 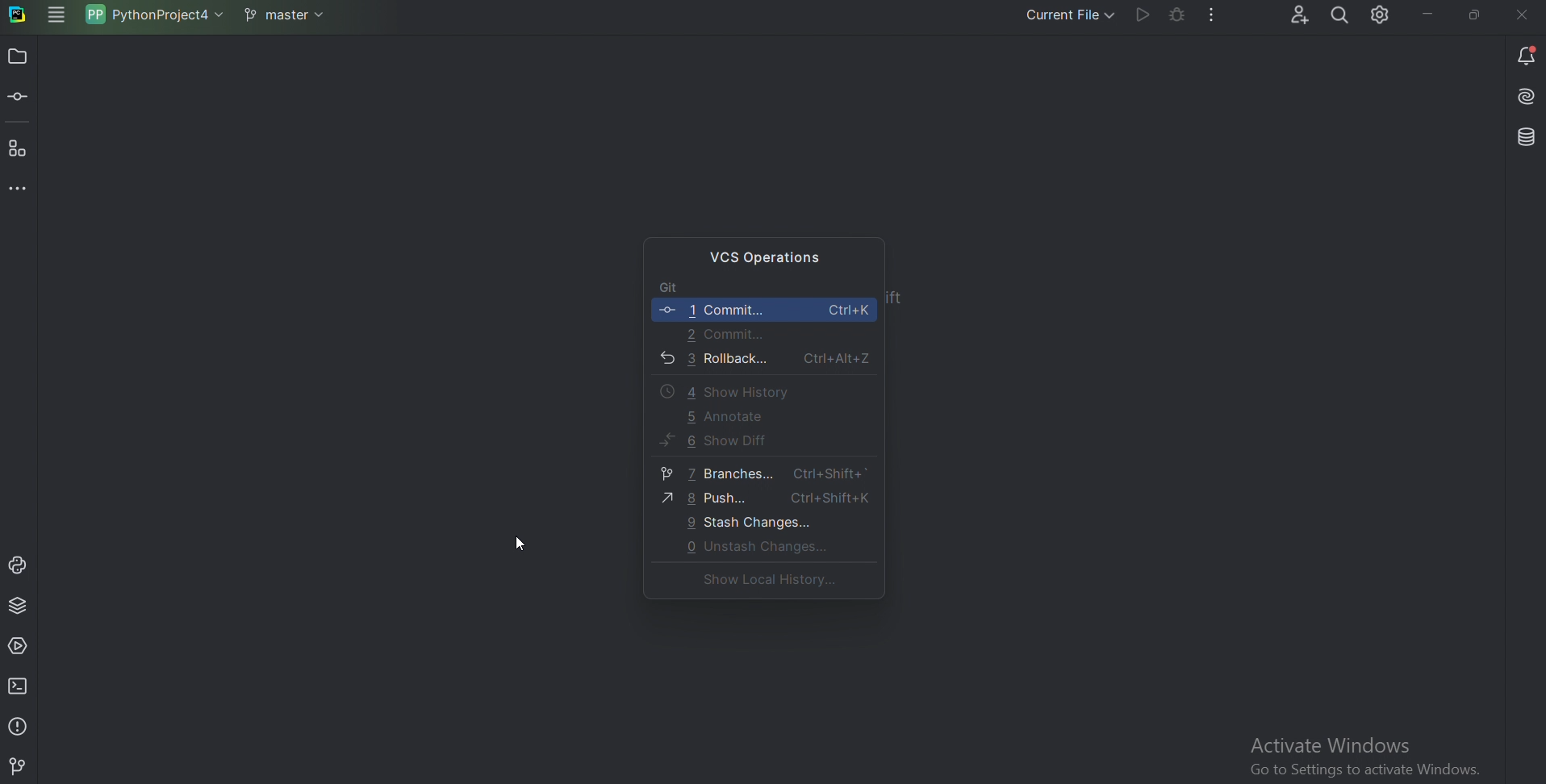 What do you see at coordinates (17, 58) in the screenshot?
I see `Project` at bounding box center [17, 58].